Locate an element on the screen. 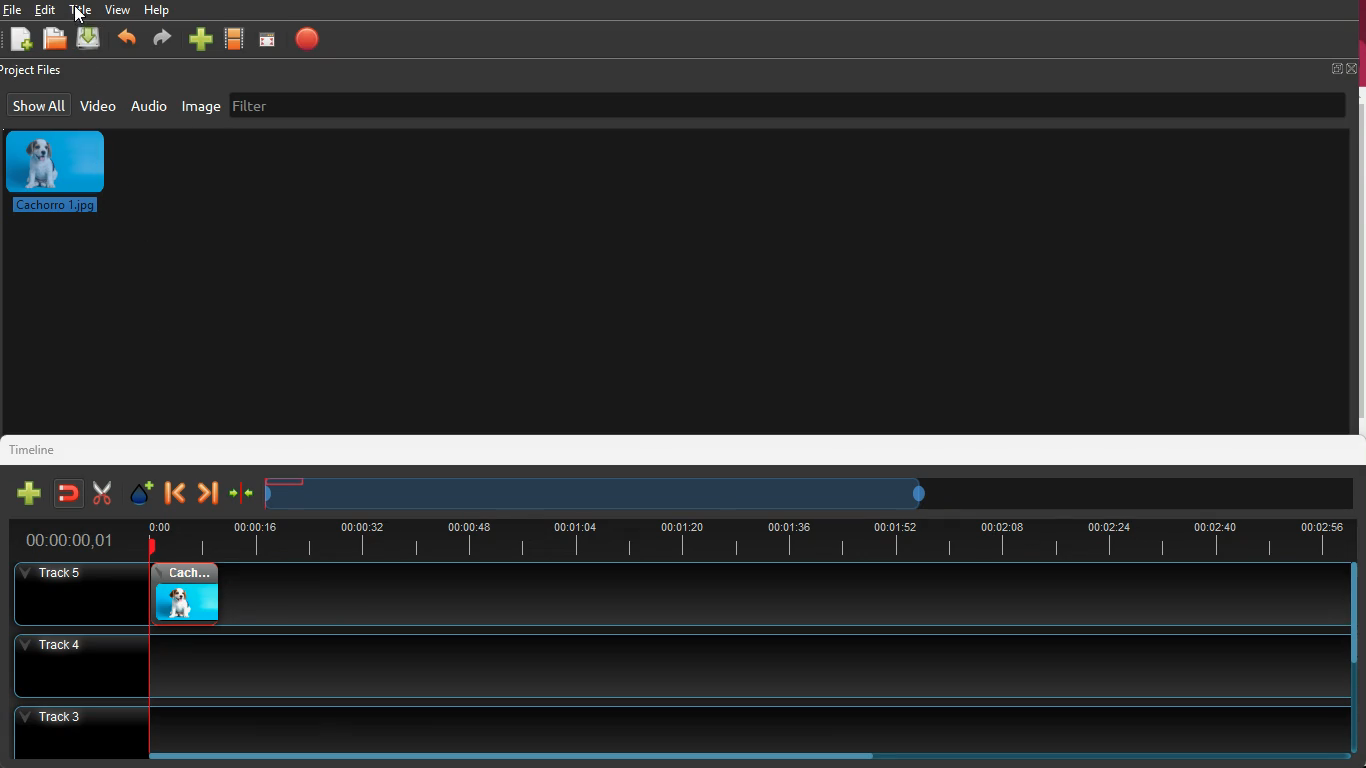 Image resolution: width=1366 pixels, height=768 pixels.  is located at coordinates (72, 594).